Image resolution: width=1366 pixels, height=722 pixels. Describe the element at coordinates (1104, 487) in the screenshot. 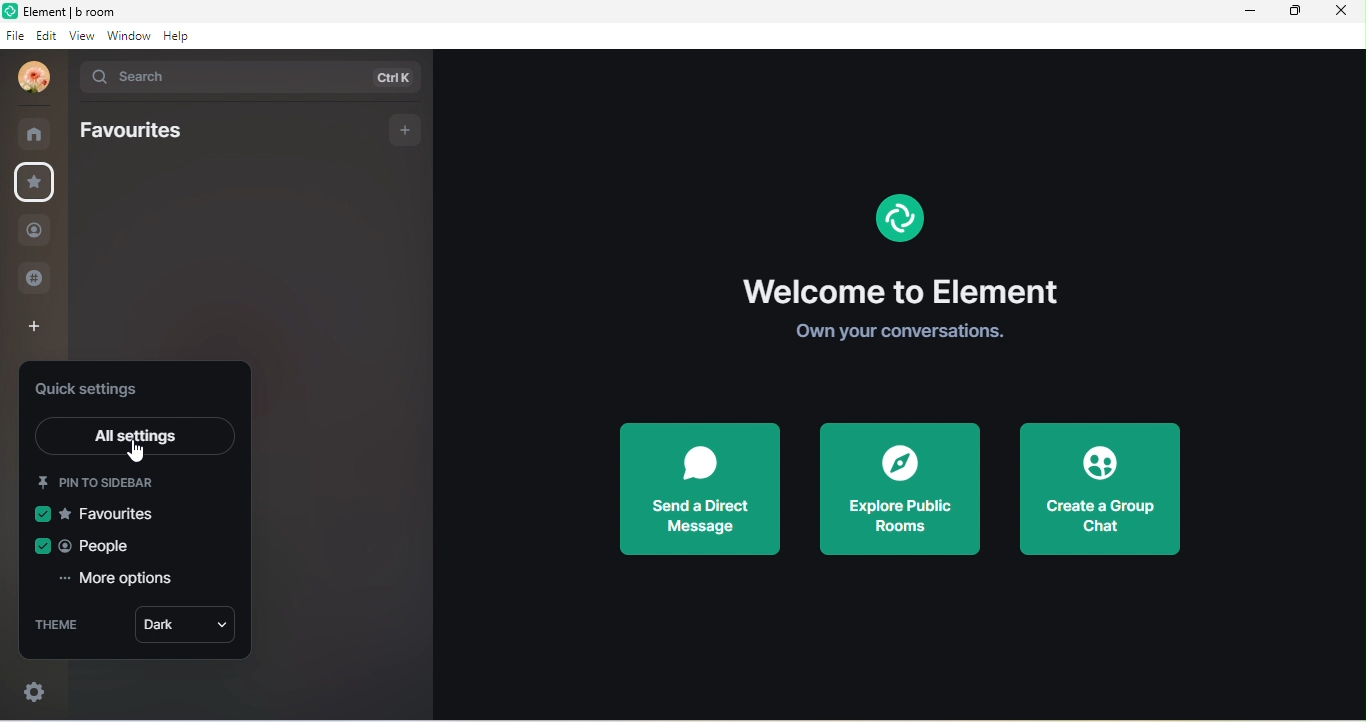

I see `create a group chat` at that location.